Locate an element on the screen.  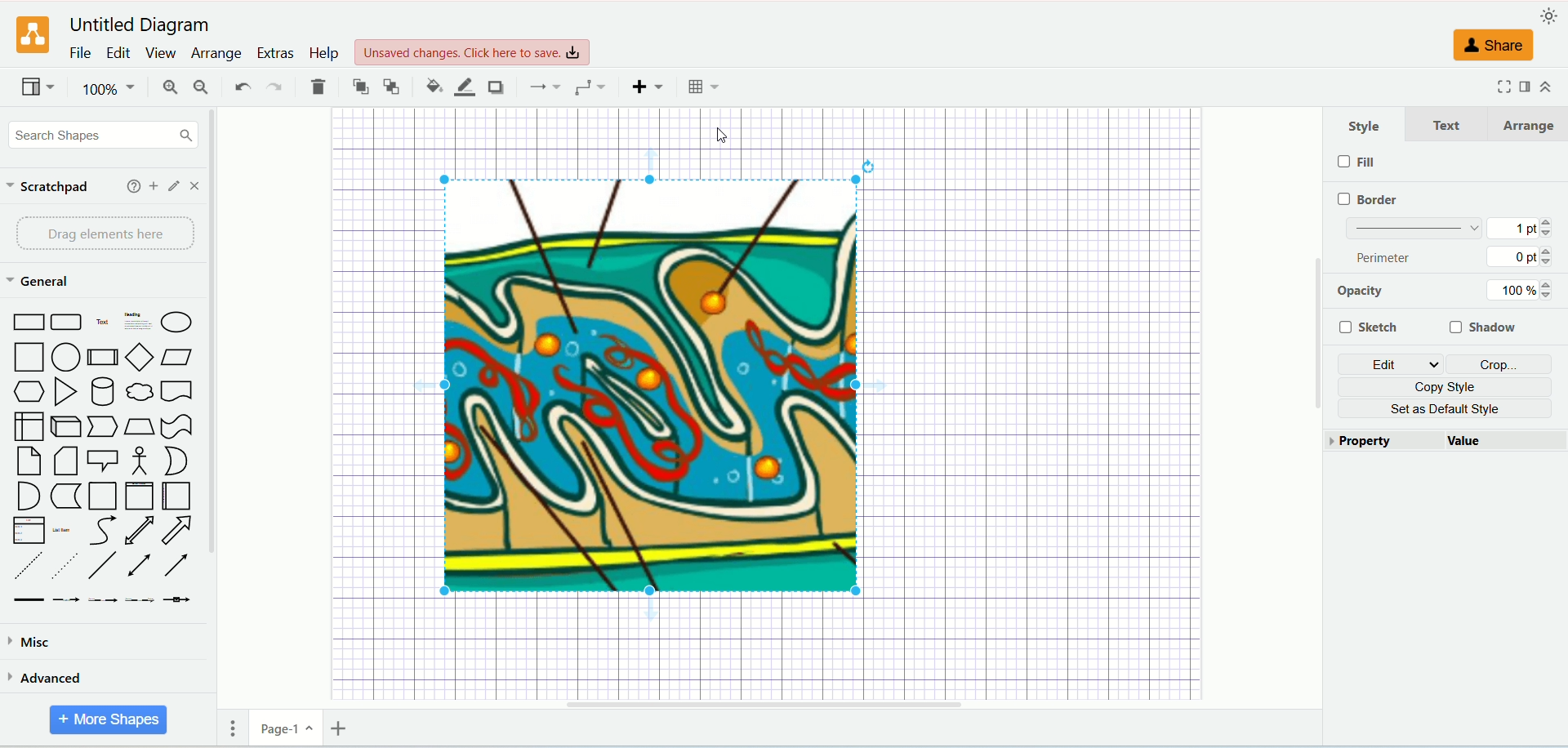
Bidirectional Connector is located at coordinates (143, 567).